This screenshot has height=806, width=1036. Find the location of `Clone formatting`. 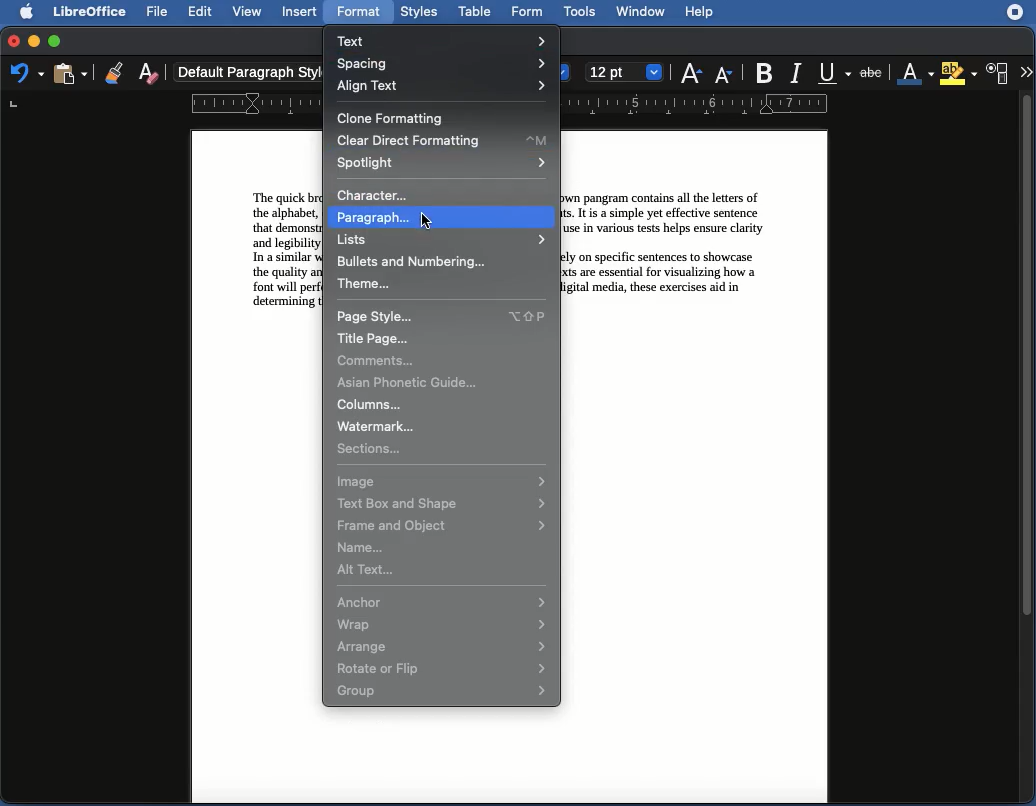

Clone formatting is located at coordinates (394, 118).